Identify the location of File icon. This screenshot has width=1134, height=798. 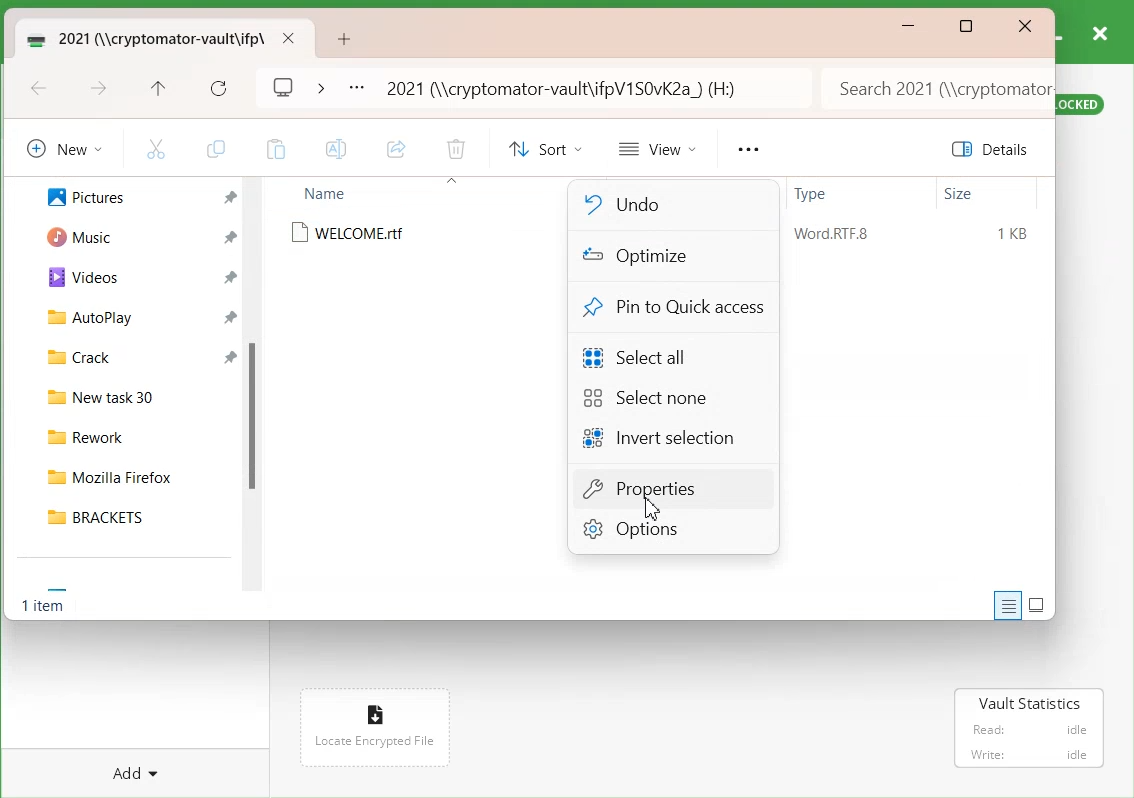
(372, 709).